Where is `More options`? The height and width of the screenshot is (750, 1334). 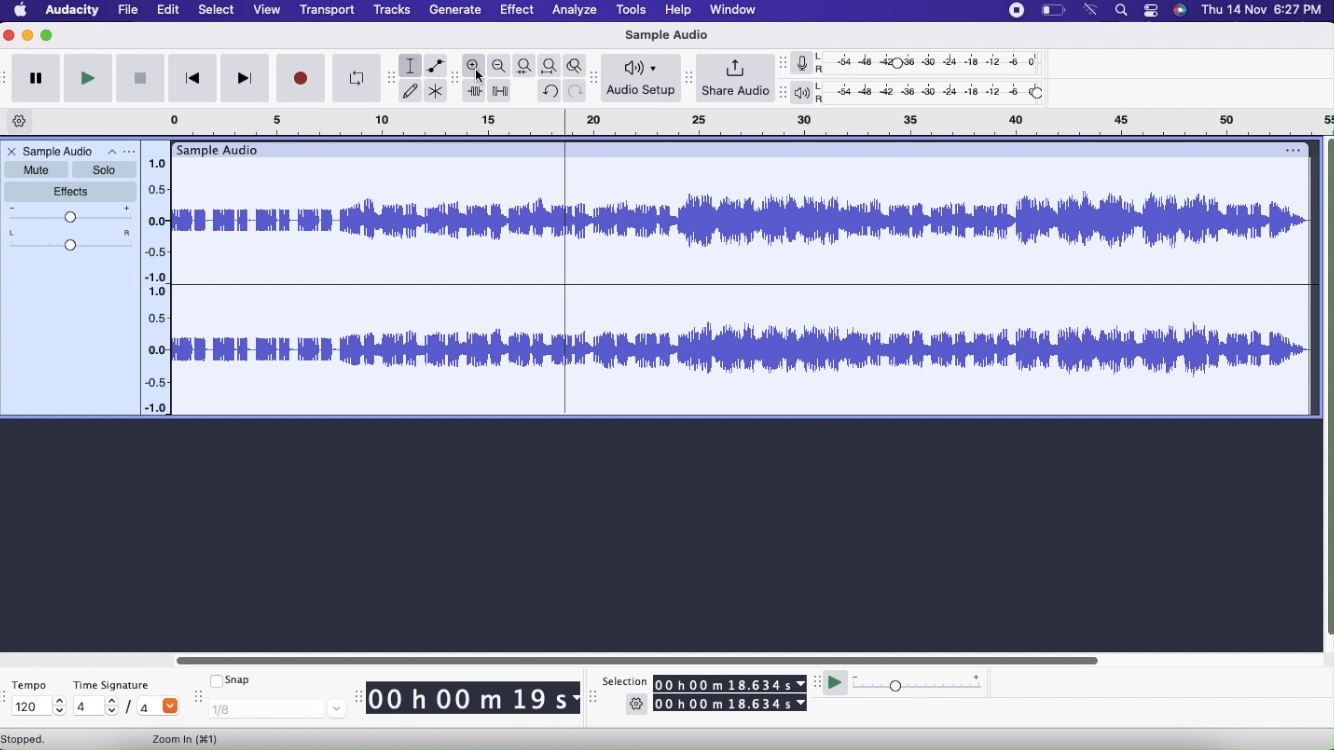
More options is located at coordinates (1149, 11).